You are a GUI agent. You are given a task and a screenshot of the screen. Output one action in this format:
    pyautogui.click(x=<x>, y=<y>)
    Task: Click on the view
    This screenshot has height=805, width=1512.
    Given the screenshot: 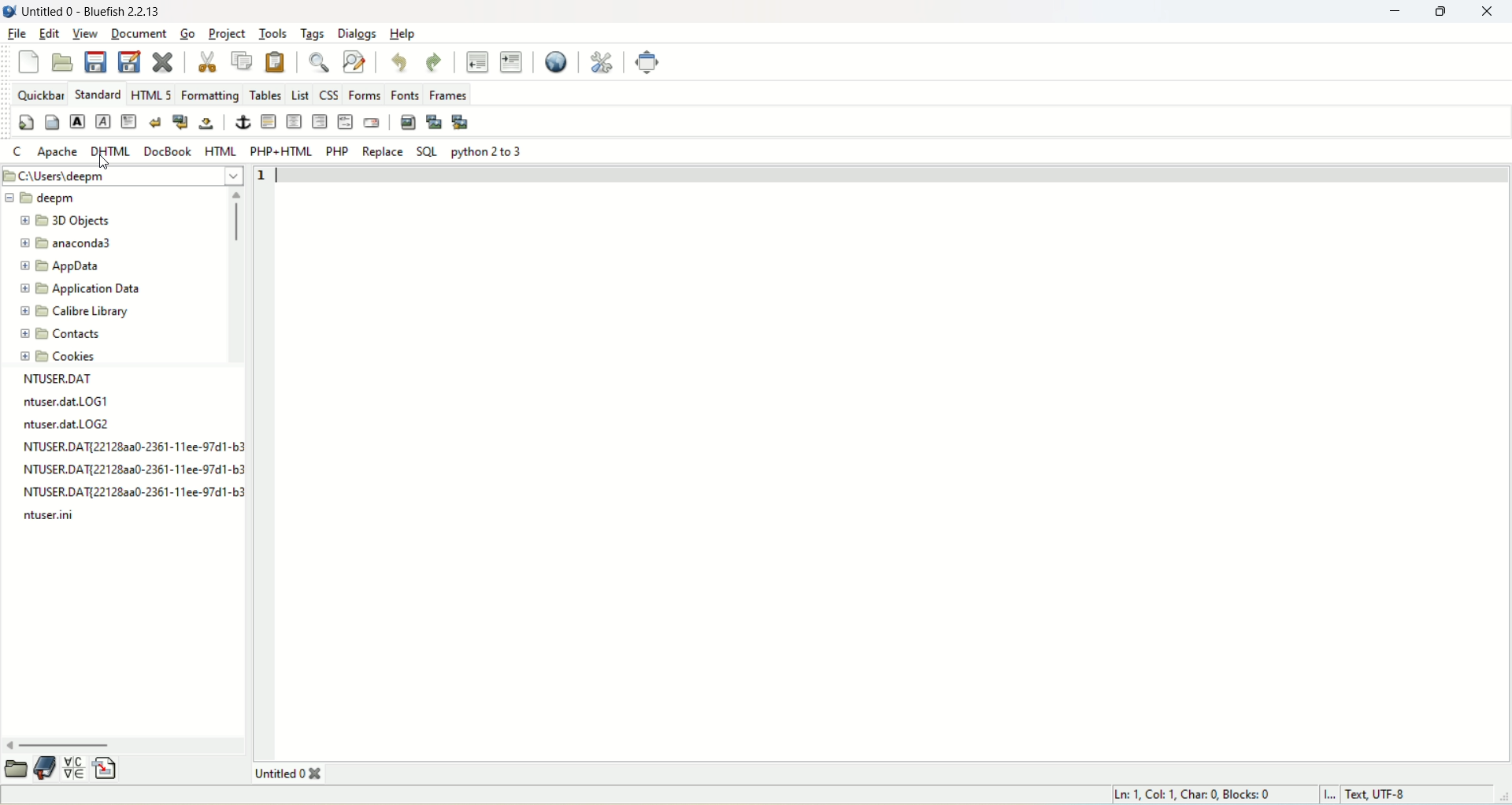 What is the action you would take?
    pyautogui.click(x=83, y=34)
    